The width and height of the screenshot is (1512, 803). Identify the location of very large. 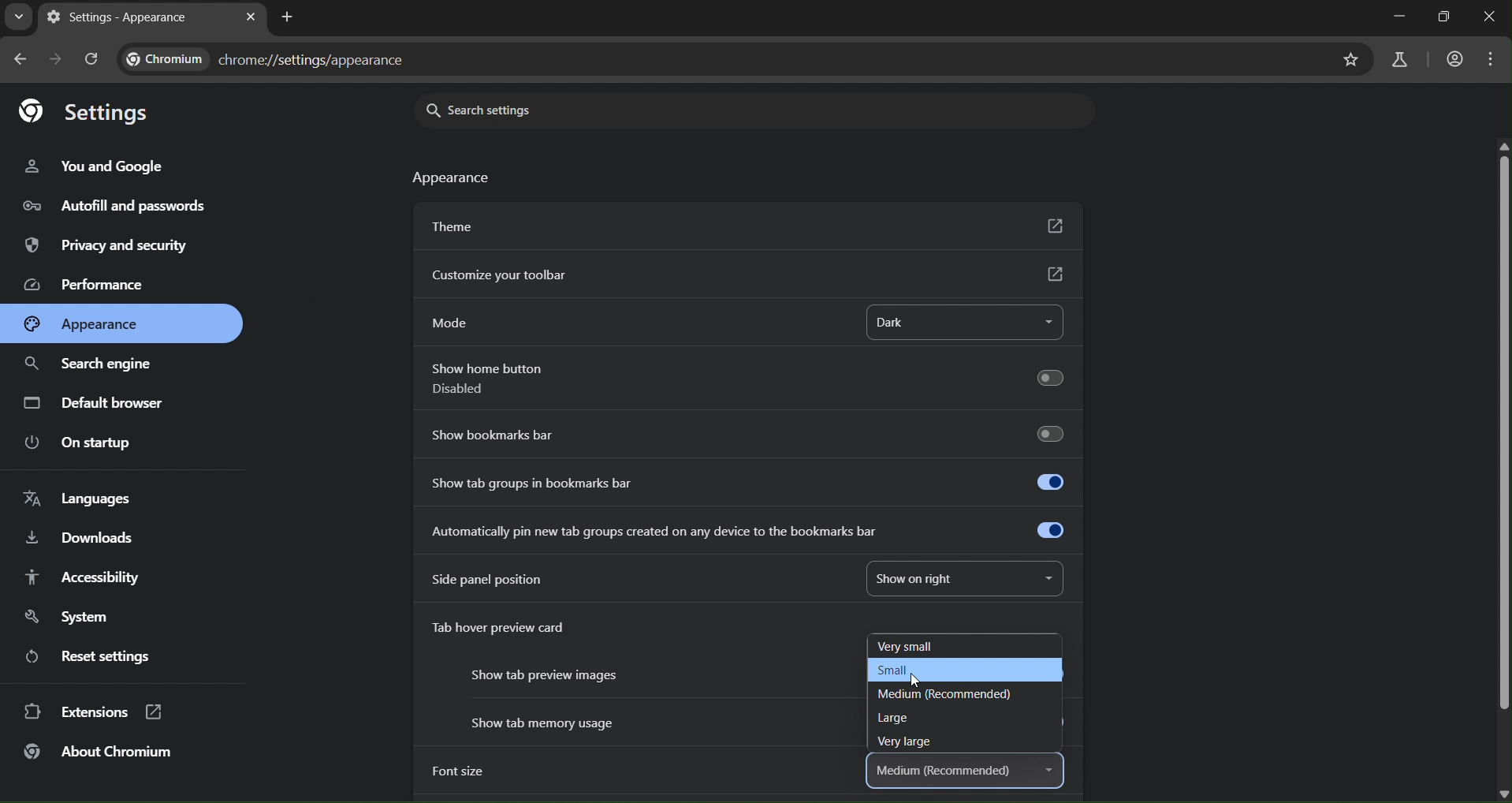
(921, 741).